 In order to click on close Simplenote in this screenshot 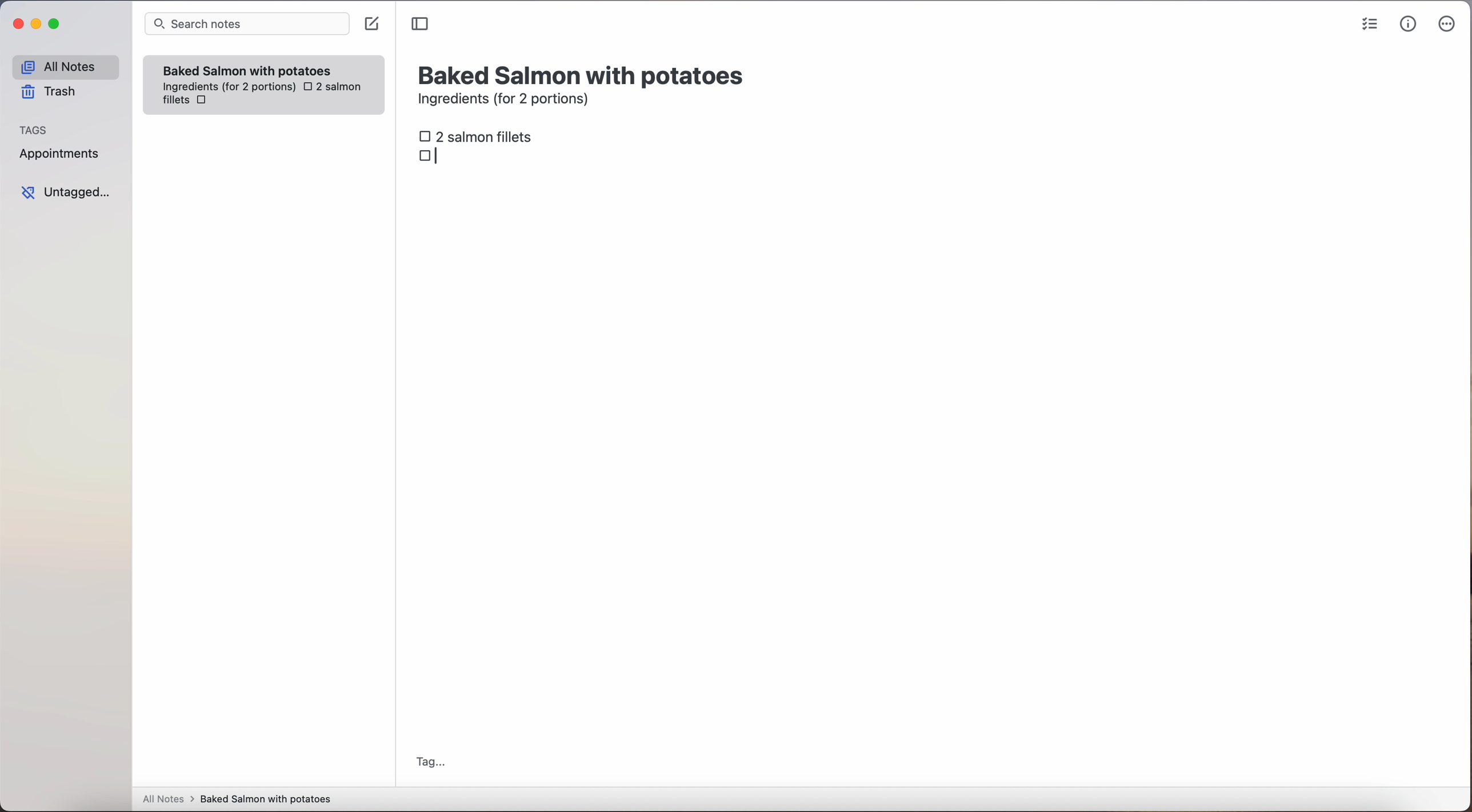, I will do `click(17, 25)`.